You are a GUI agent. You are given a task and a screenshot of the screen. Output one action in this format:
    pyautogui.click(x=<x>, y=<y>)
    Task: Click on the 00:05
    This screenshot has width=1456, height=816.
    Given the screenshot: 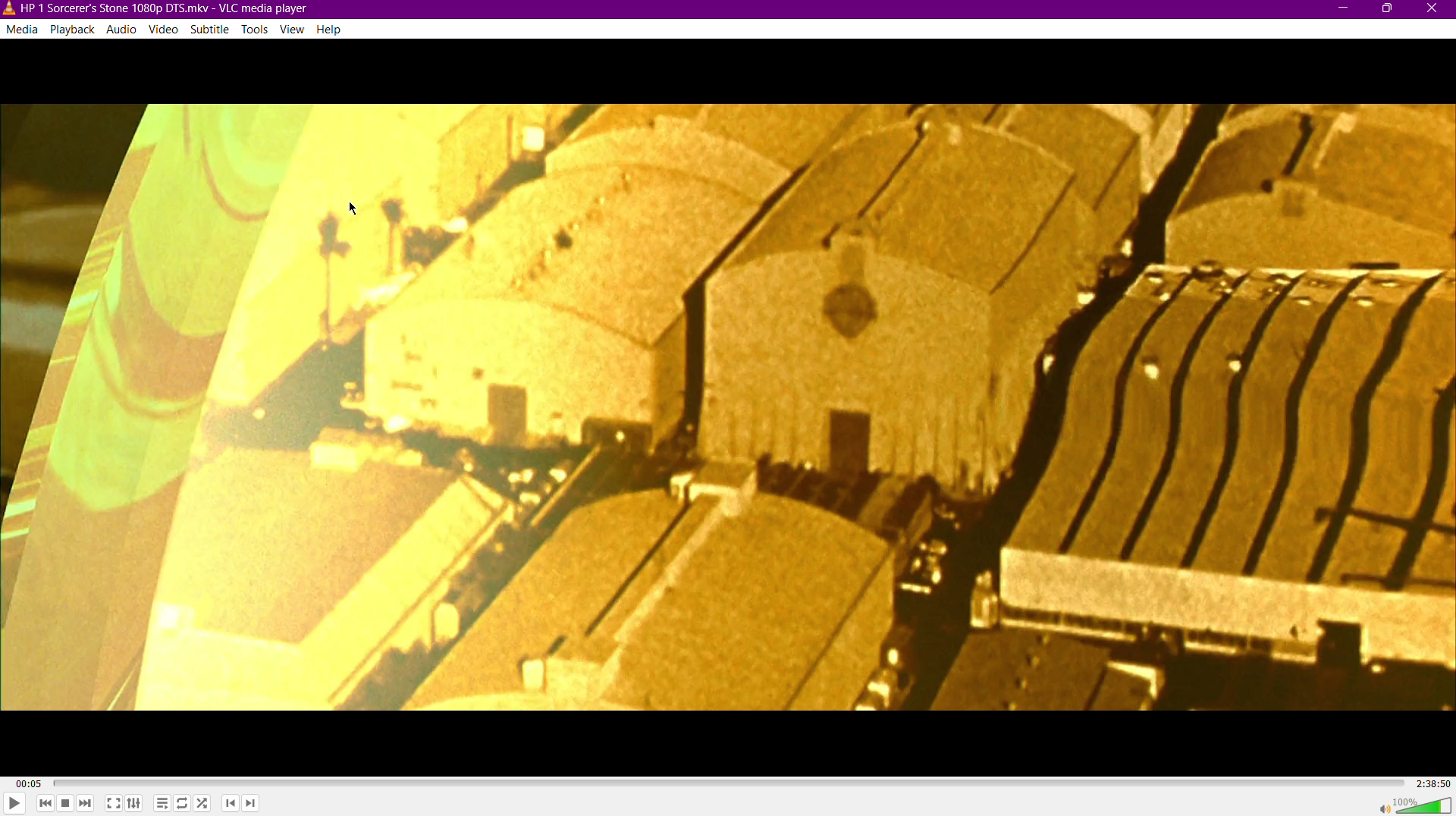 What is the action you would take?
    pyautogui.click(x=27, y=782)
    